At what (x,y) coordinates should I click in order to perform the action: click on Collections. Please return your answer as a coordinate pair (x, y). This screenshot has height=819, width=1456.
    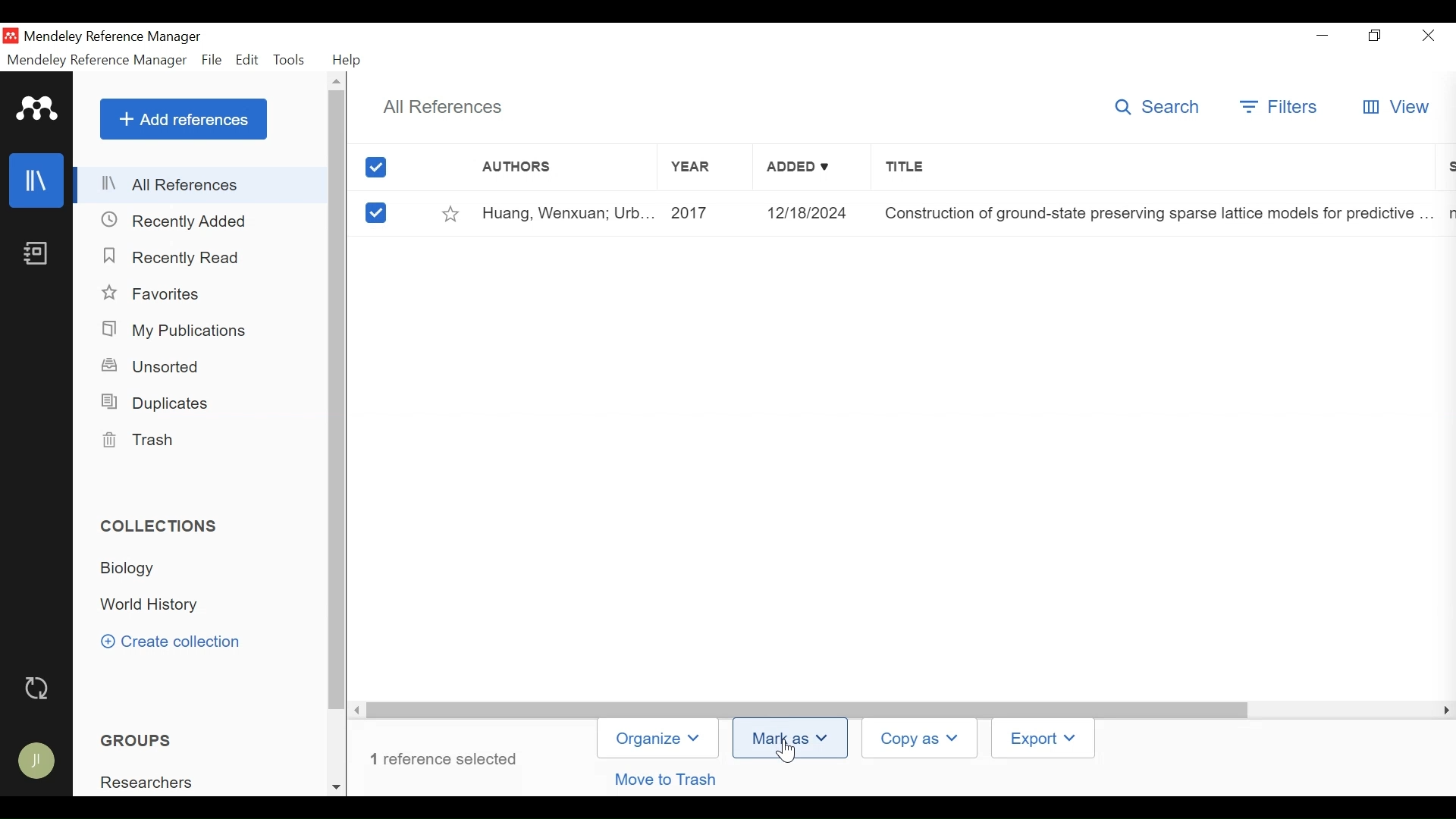
    Looking at the image, I should click on (160, 526).